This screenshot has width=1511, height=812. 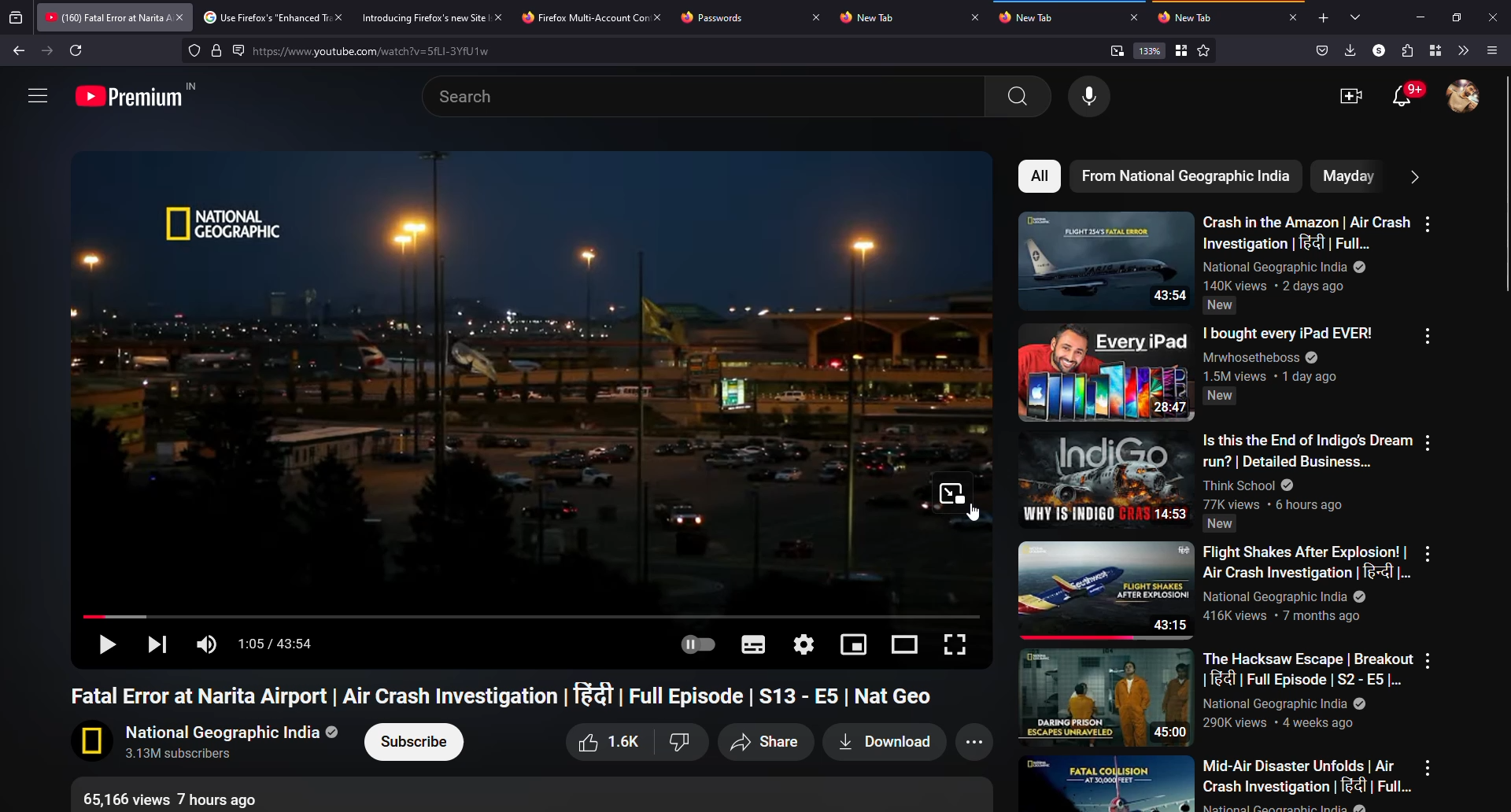 I want to click on Indicates video is new, so click(x=1220, y=396).